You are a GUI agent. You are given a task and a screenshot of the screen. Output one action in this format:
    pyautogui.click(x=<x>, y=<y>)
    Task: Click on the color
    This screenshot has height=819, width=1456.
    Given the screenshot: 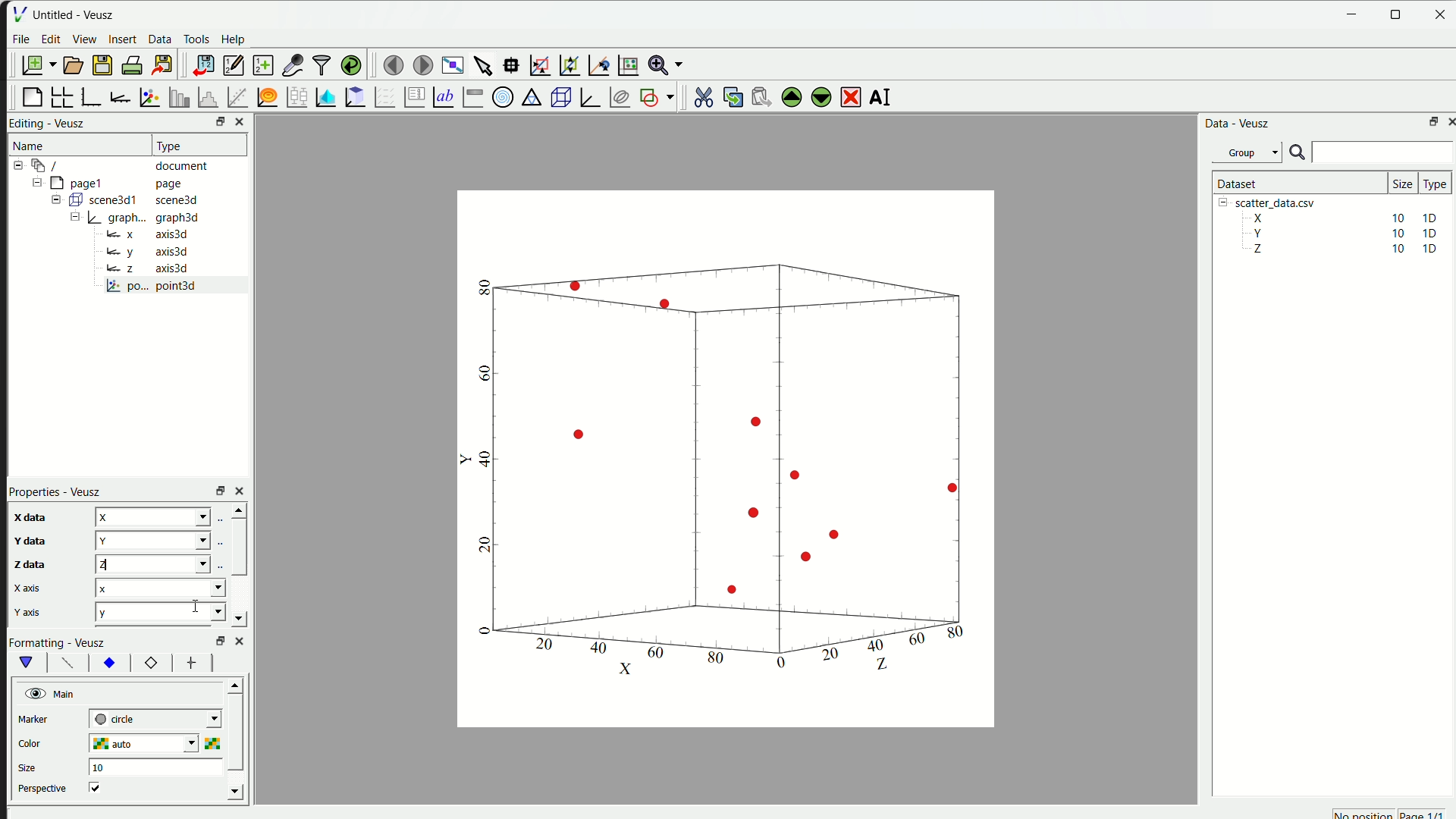 What is the action you would take?
    pyautogui.click(x=46, y=742)
    